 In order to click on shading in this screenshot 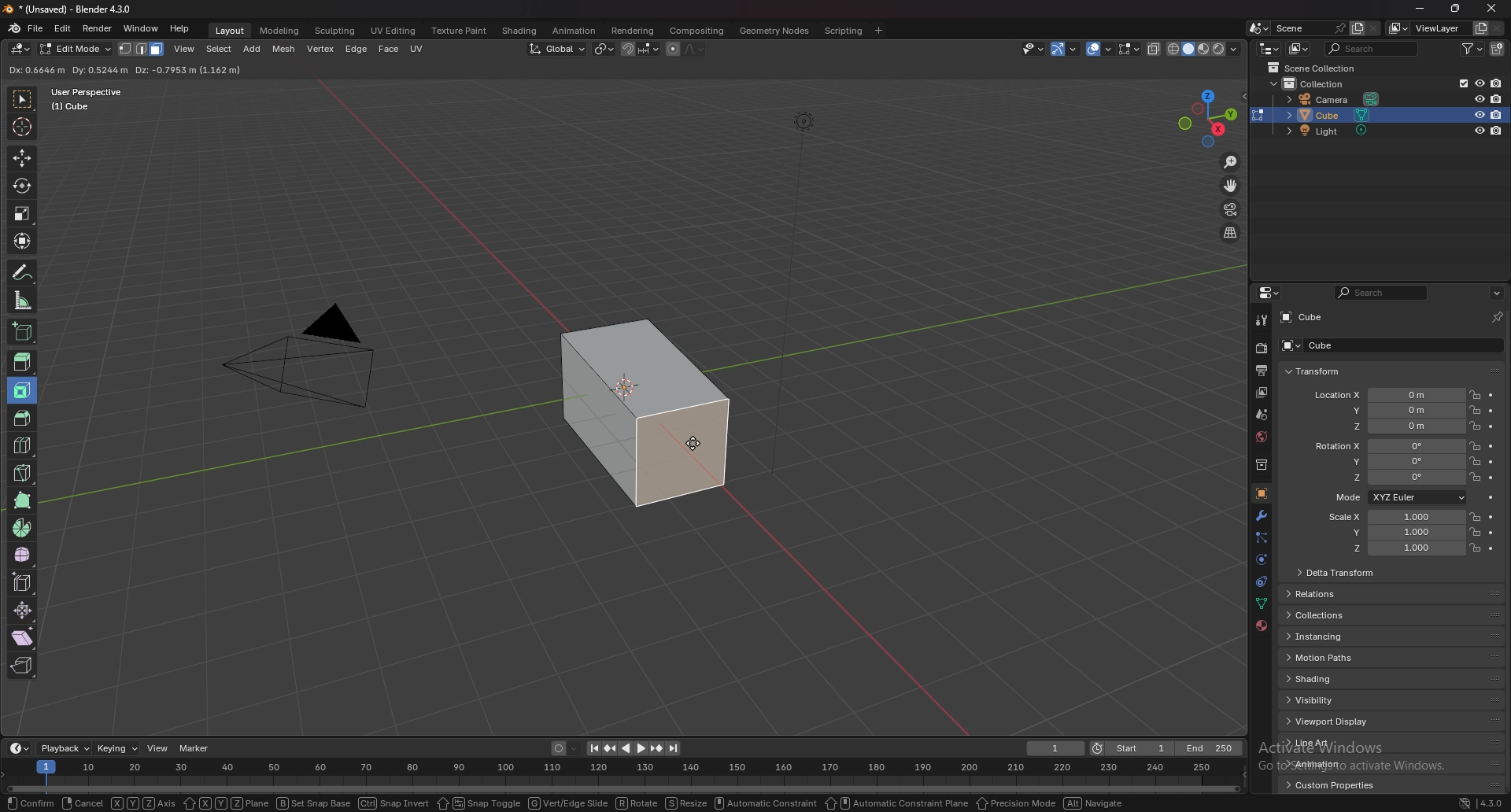, I will do `click(521, 30)`.